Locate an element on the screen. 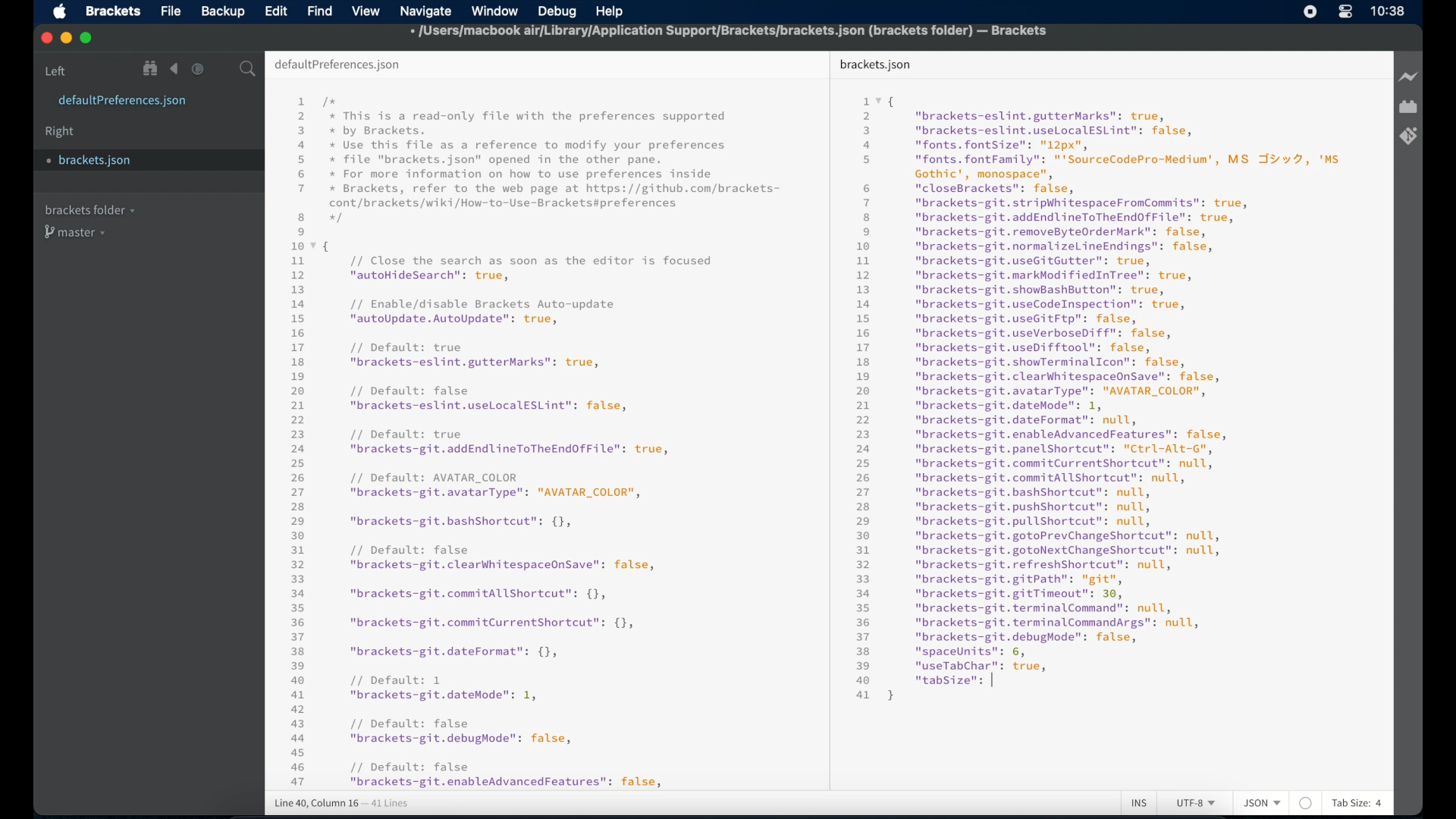 This screenshot has width=1456, height=819. time is located at coordinates (1388, 11).